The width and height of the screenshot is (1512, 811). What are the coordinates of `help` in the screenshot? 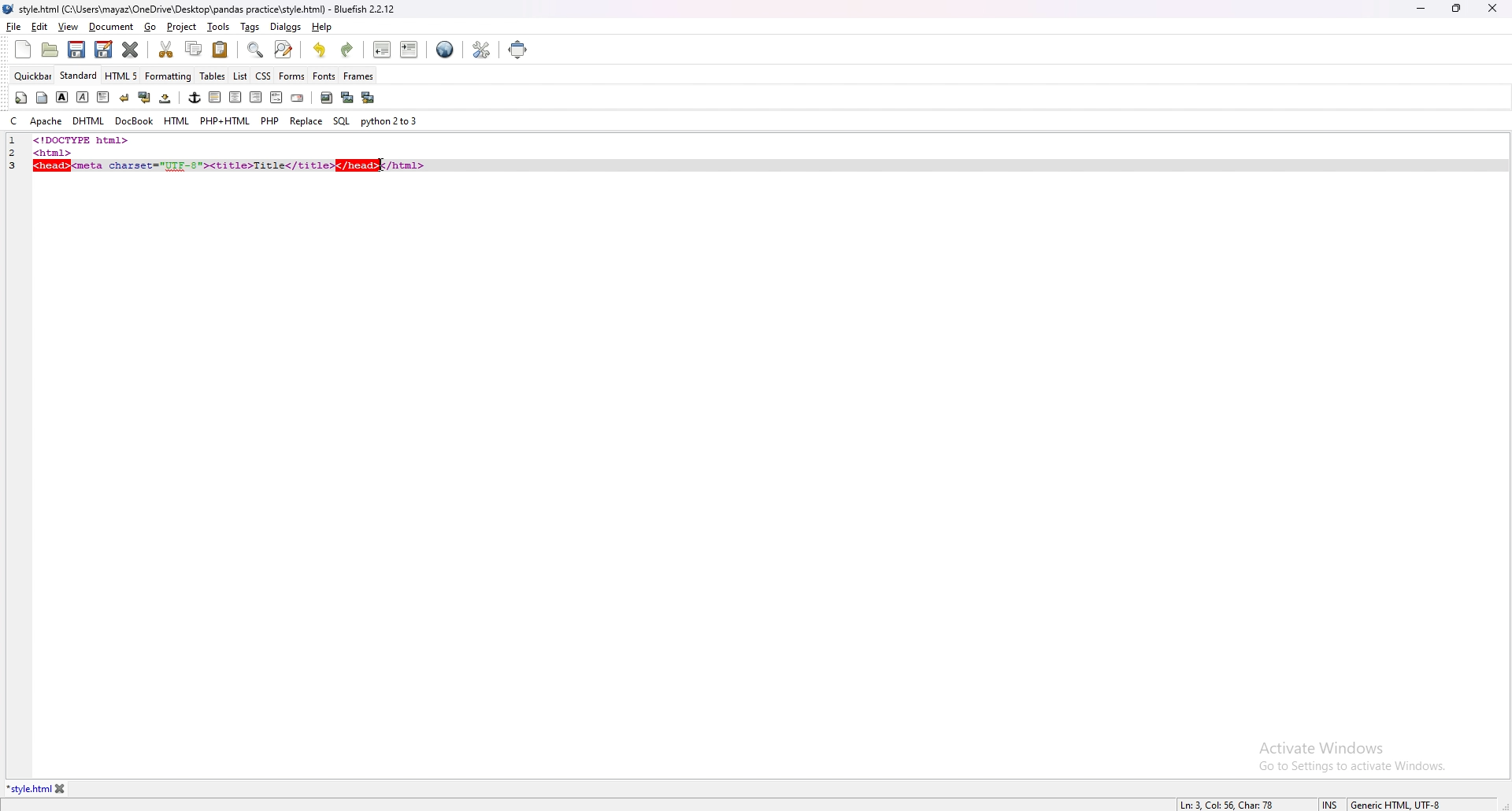 It's located at (321, 27).